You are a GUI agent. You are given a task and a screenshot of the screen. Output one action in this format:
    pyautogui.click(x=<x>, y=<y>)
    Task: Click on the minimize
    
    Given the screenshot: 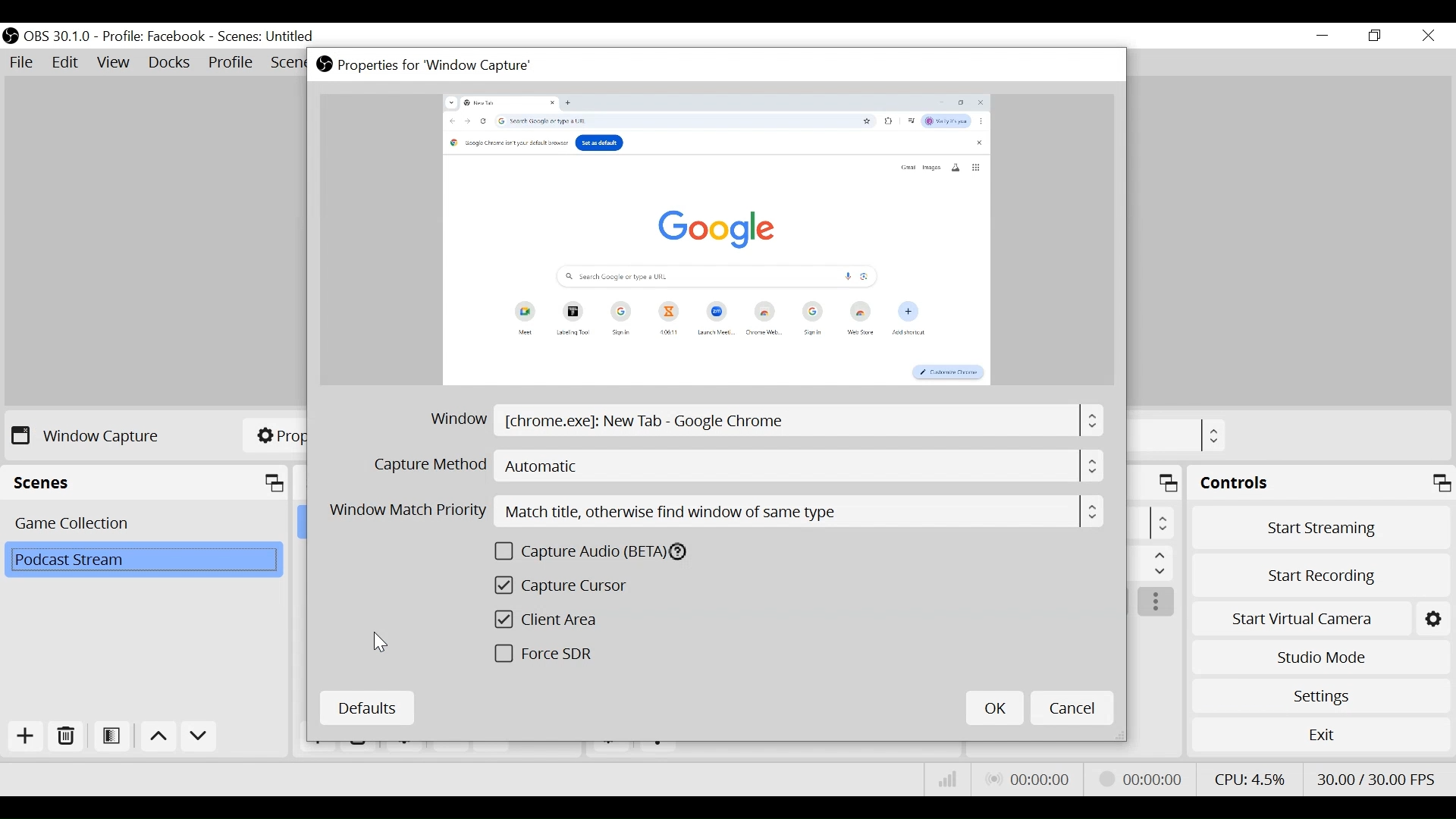 What is the action you would take?
    pyautogui.click(x=1322, y=36)
    